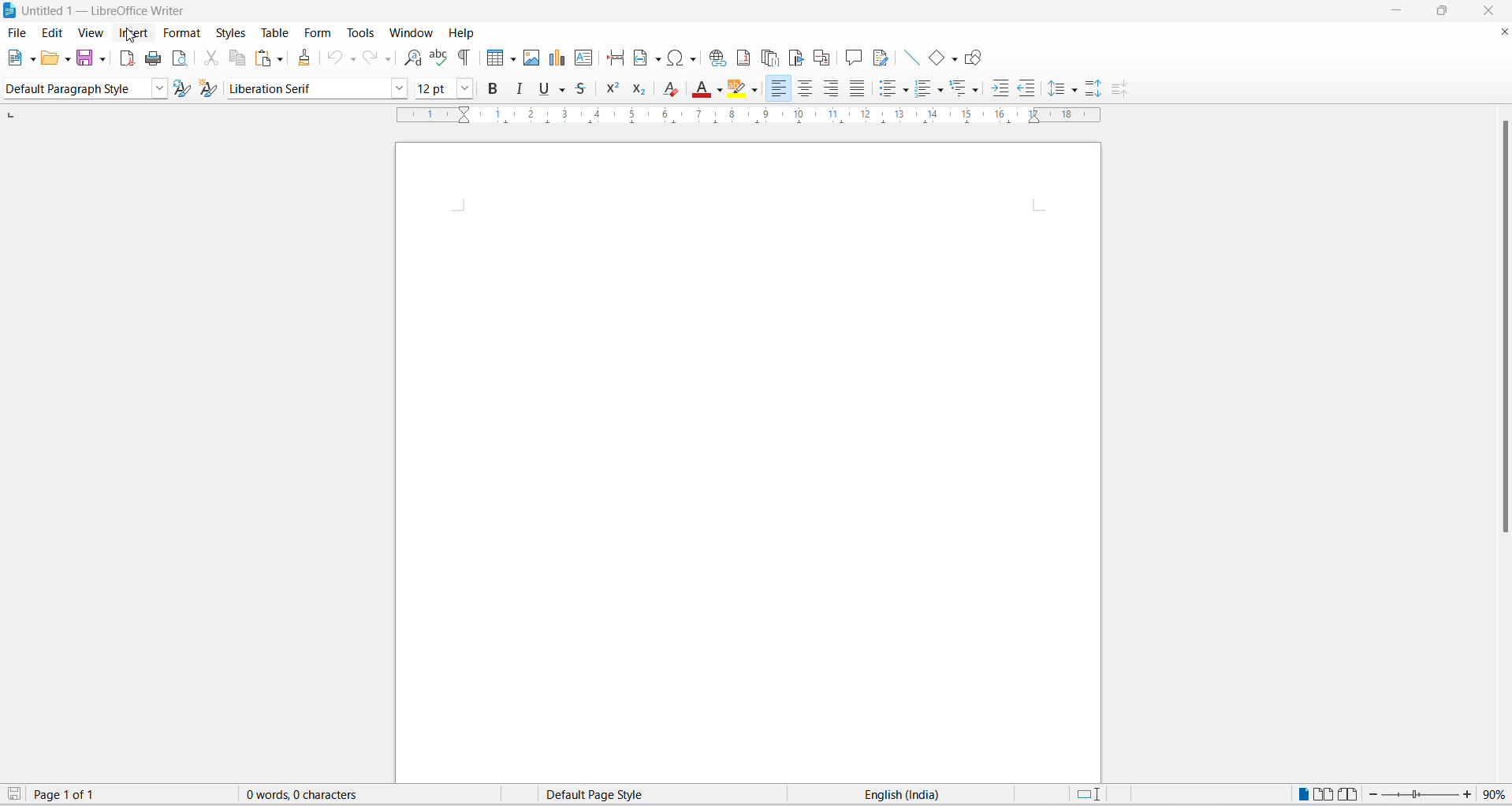 This screenshot has height=806, width=1512. I want to click on bold, so click(496, 91).